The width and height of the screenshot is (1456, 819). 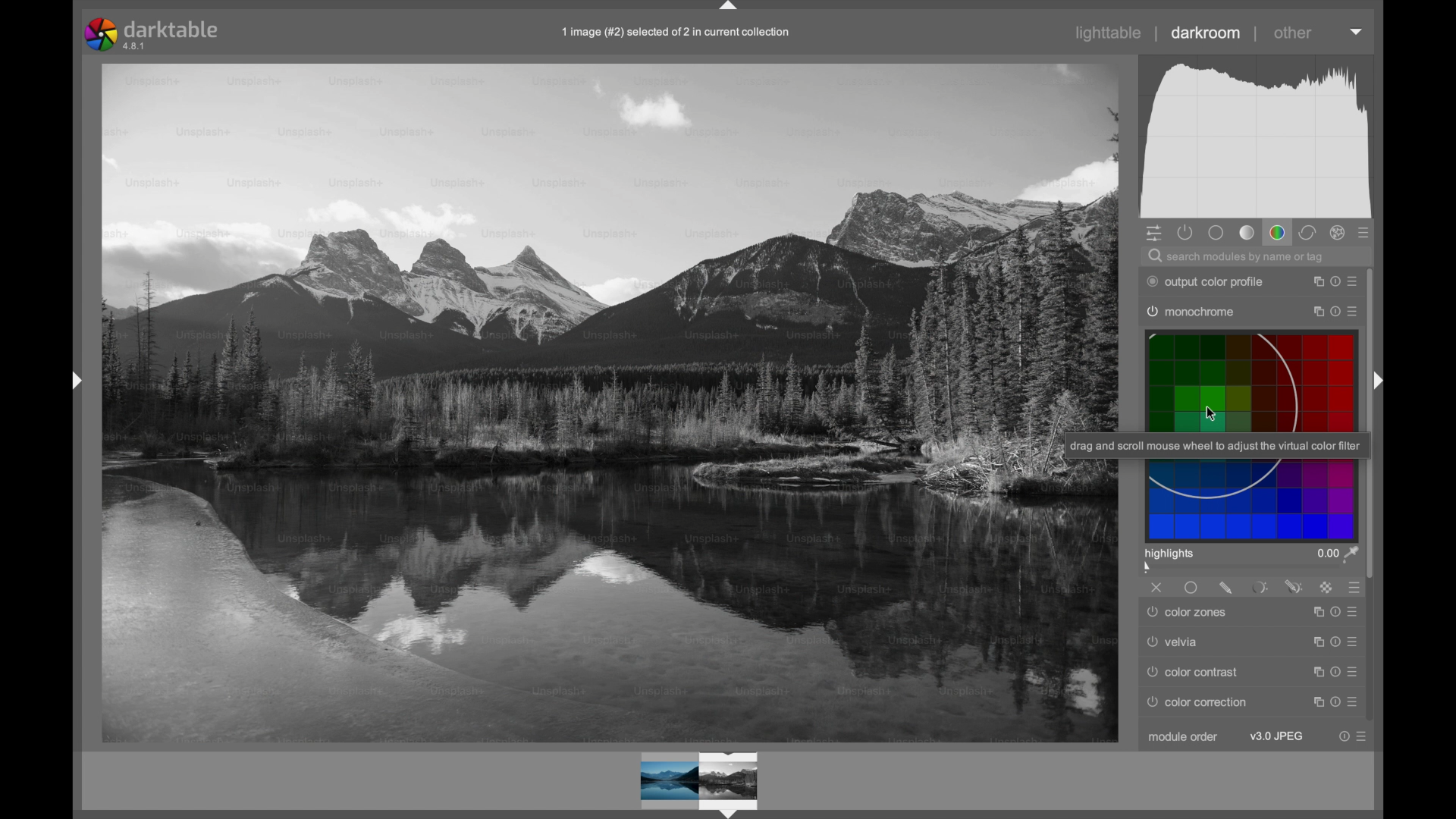 I want to click on blending options, so click(x=1356, y=588).